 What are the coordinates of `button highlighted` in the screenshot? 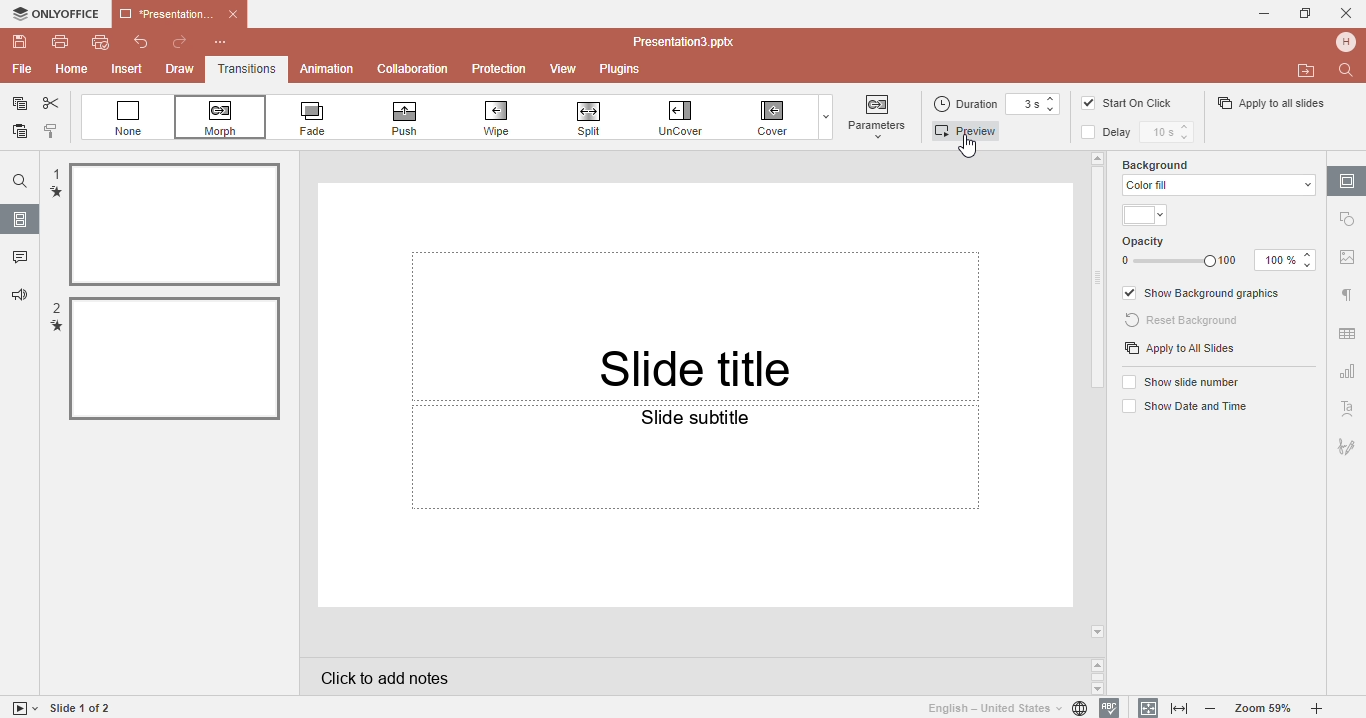 It's located at (878, 116).